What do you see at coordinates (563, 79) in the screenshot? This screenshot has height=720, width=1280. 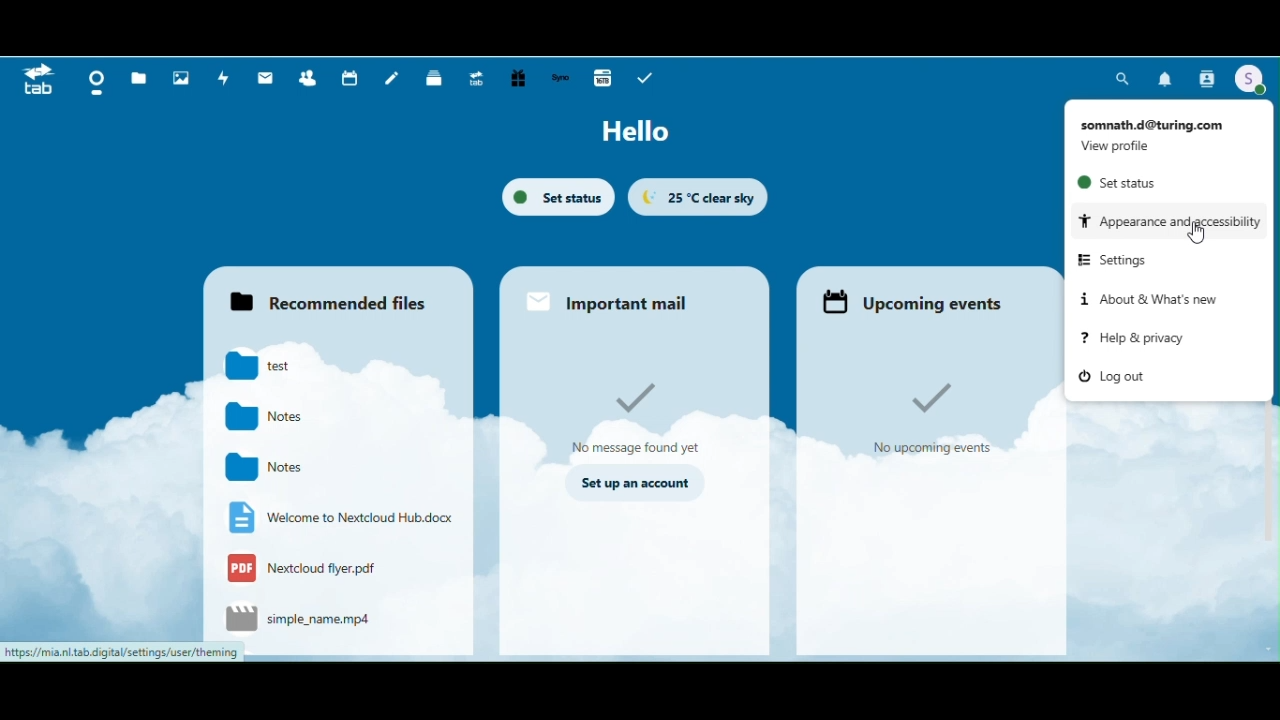 I see `Synology` at bounding box center [563, 79].